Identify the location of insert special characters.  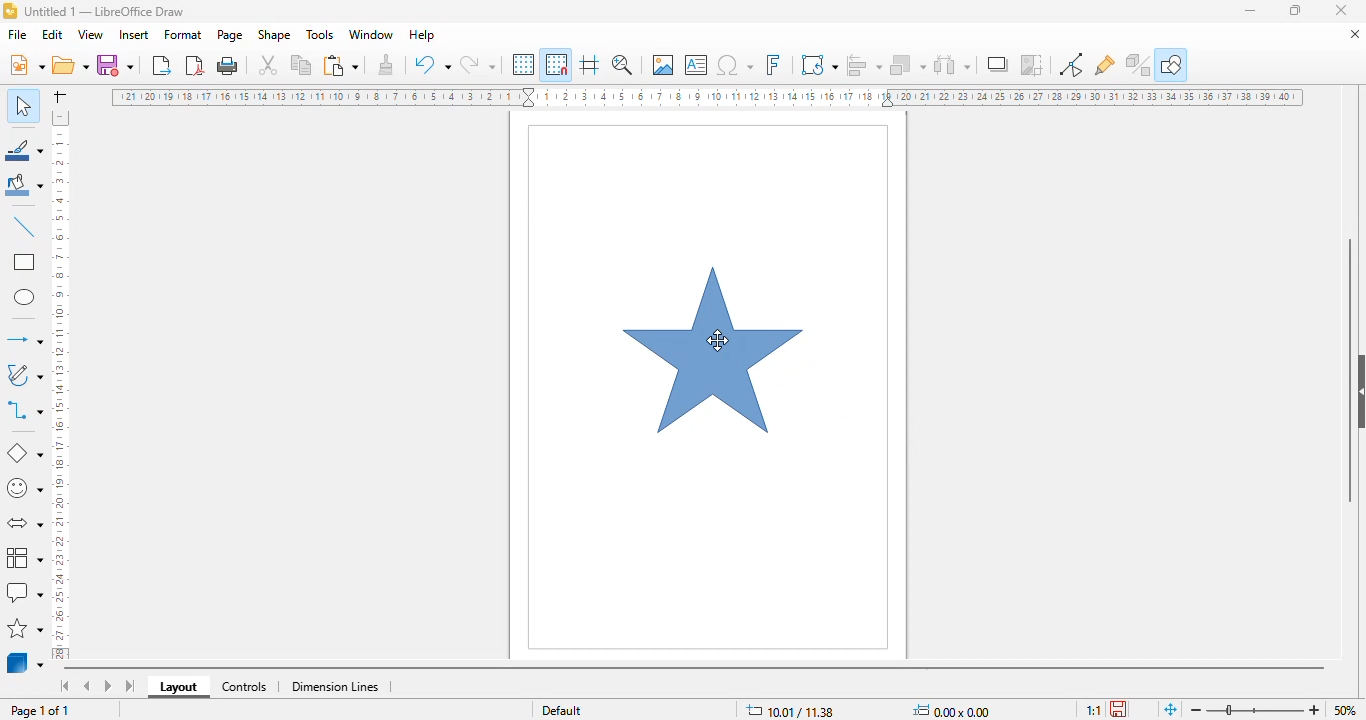
(735, 65).